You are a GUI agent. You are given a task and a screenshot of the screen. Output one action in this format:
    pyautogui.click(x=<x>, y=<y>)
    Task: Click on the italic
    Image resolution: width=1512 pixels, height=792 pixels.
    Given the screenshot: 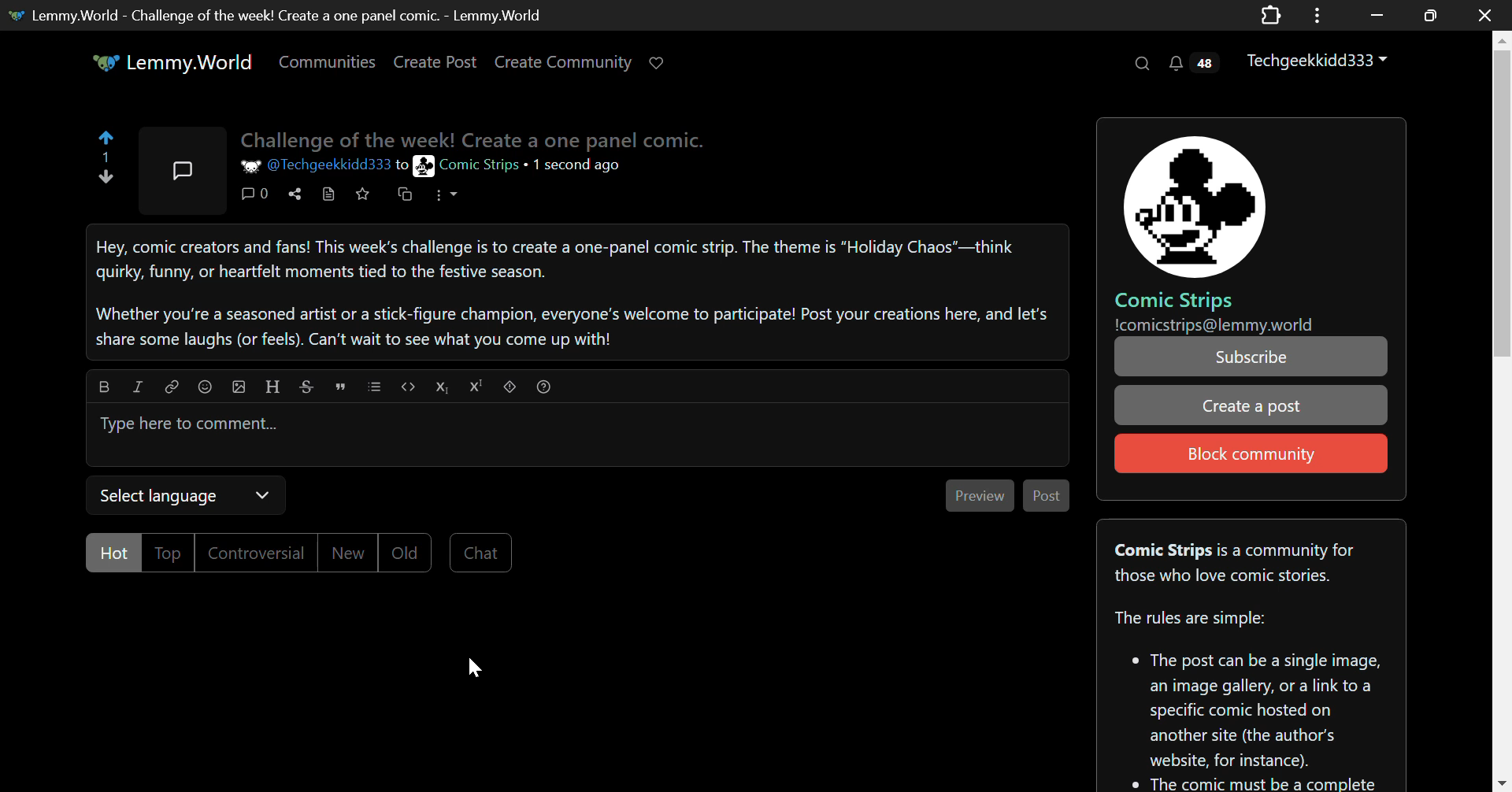 What is the action you would take?
    pyautogui.click(x=138, y=383)
    